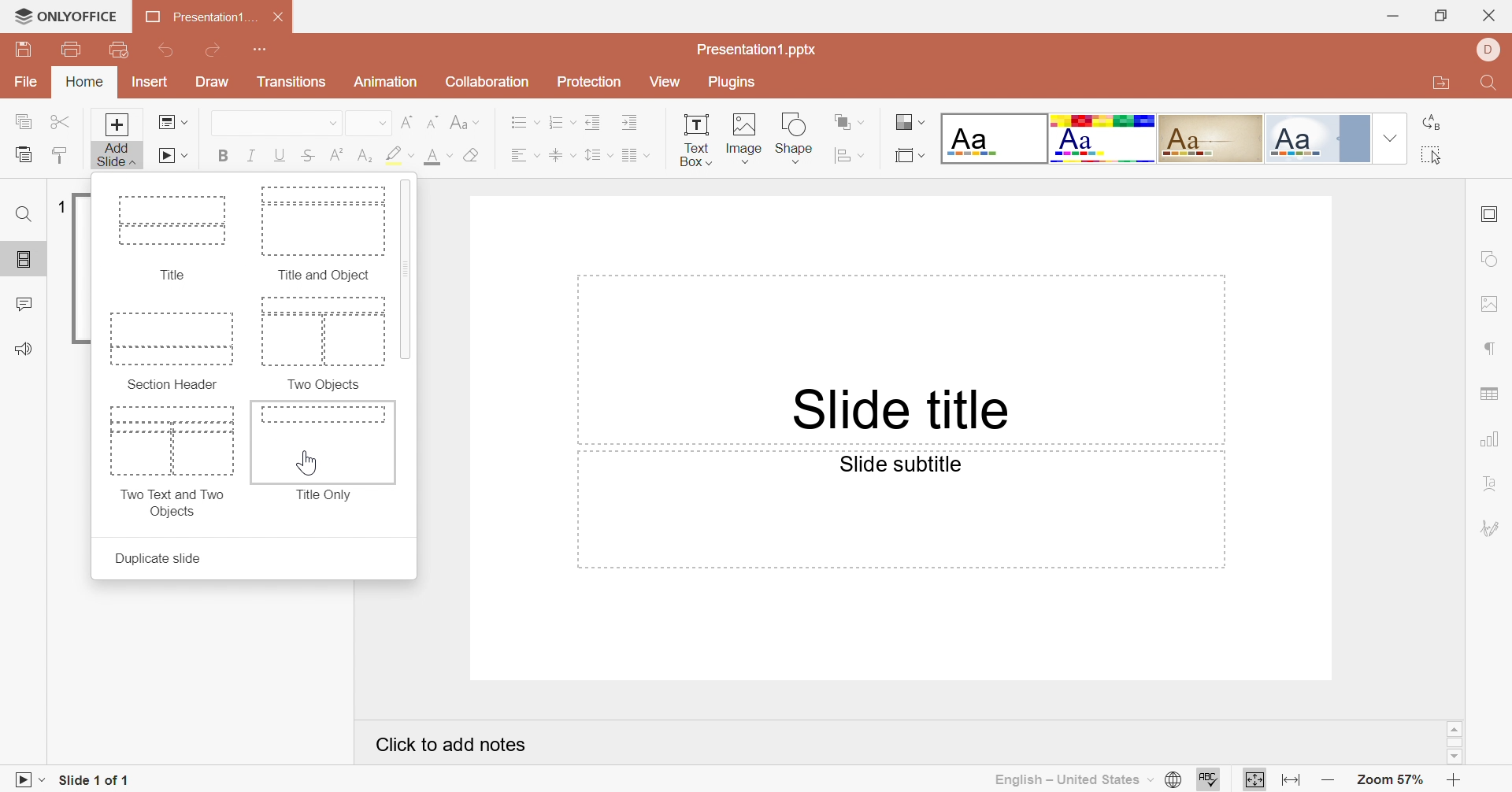  Describe the element at coordinates (433, 121) in the screenshot. I see `Decrement font size` at that location.